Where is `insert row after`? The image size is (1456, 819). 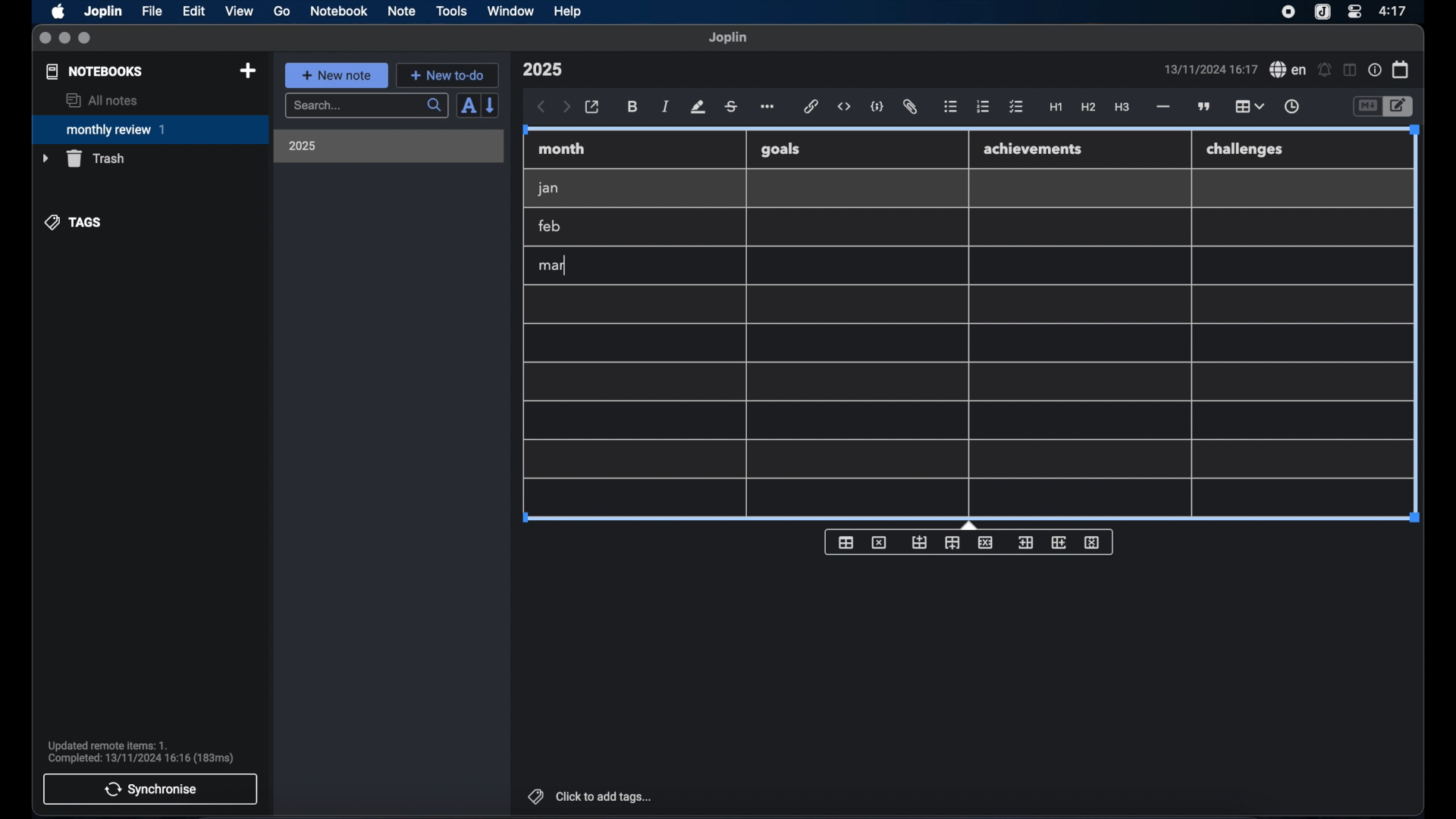 insert row after is located at coordinates (952, 543).